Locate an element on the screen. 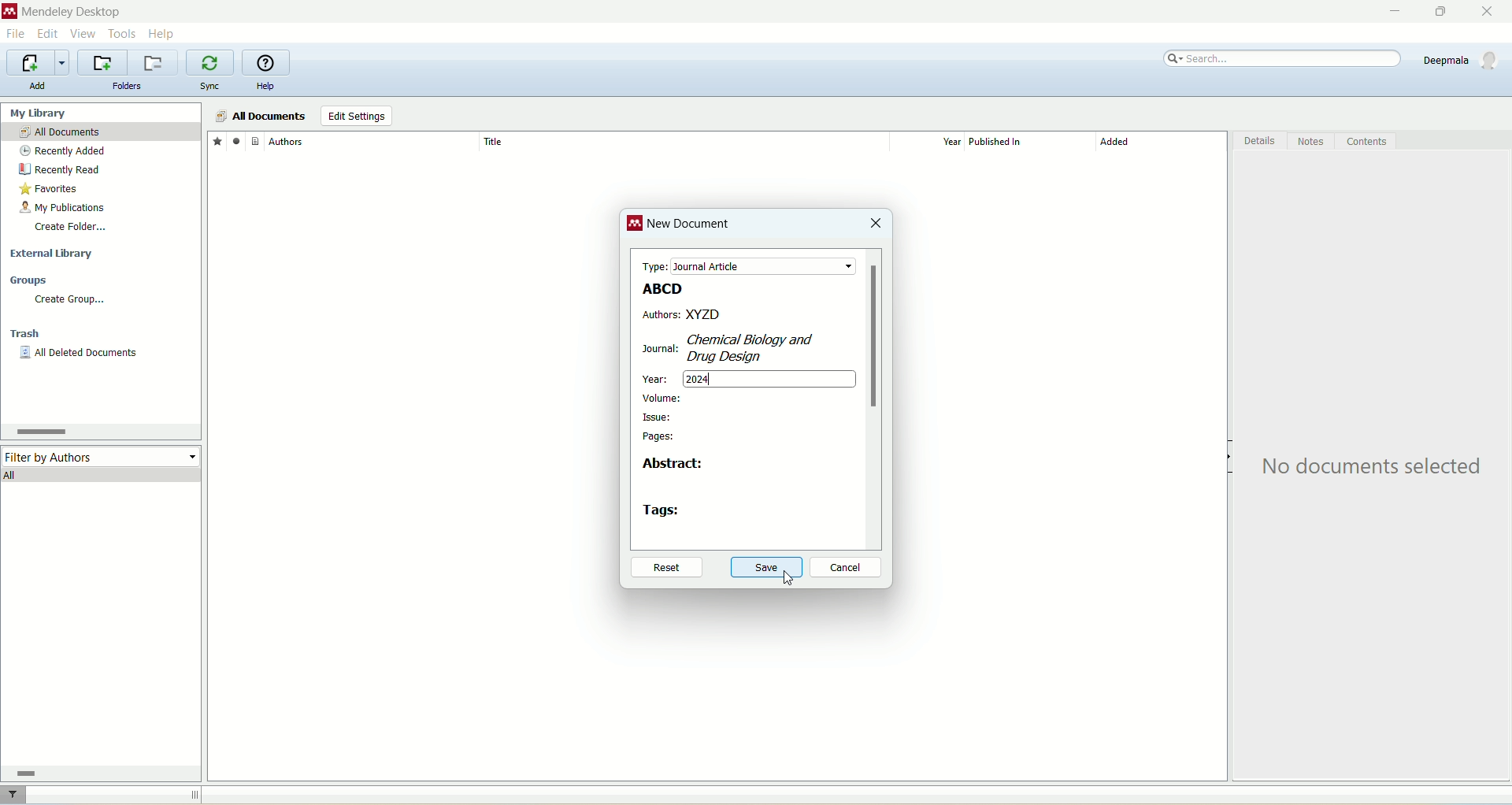  cursor is located at coordinates (784, 580).